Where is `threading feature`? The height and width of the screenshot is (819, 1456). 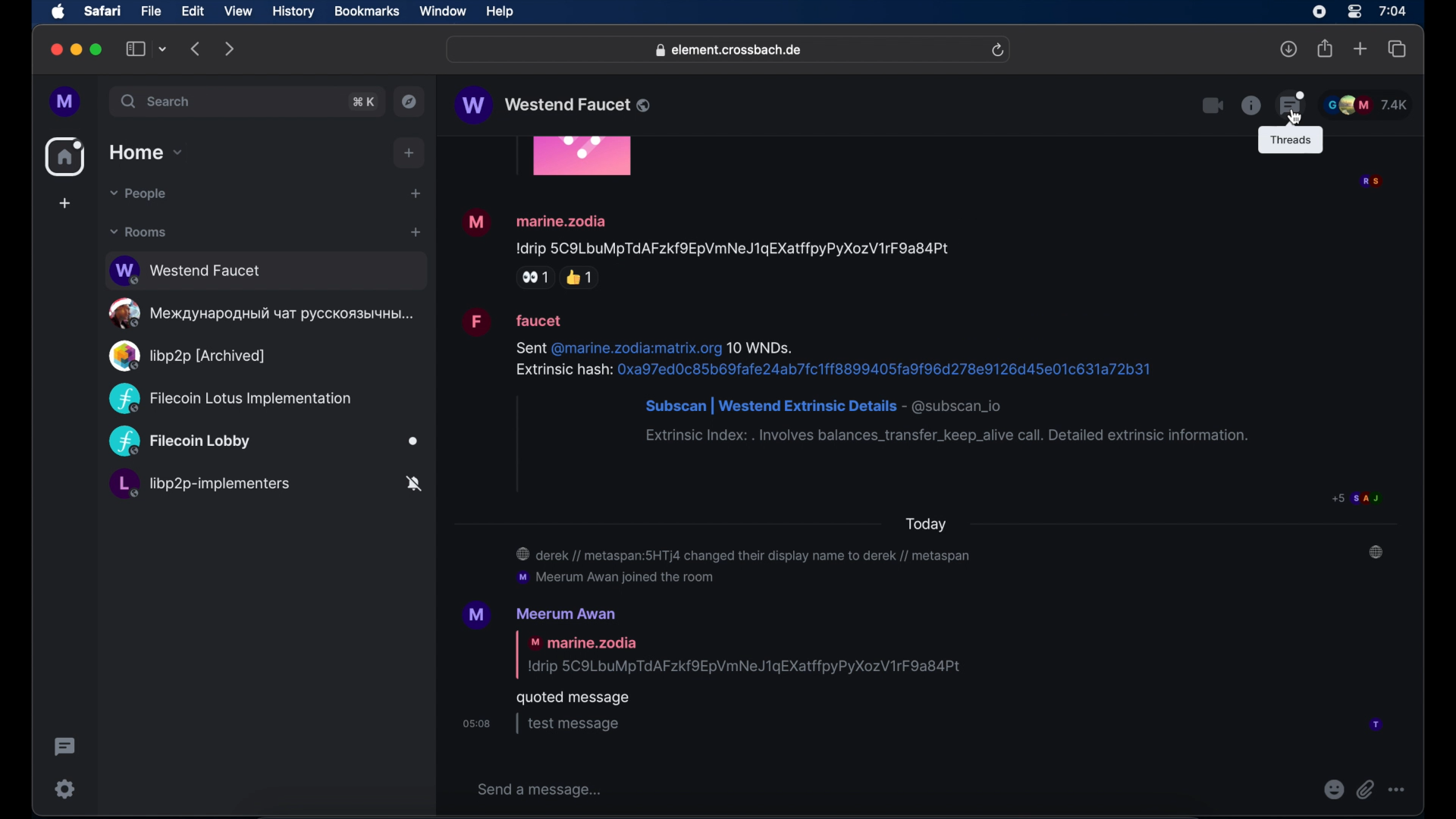
threading feature is located at coordinates (1291, 105).